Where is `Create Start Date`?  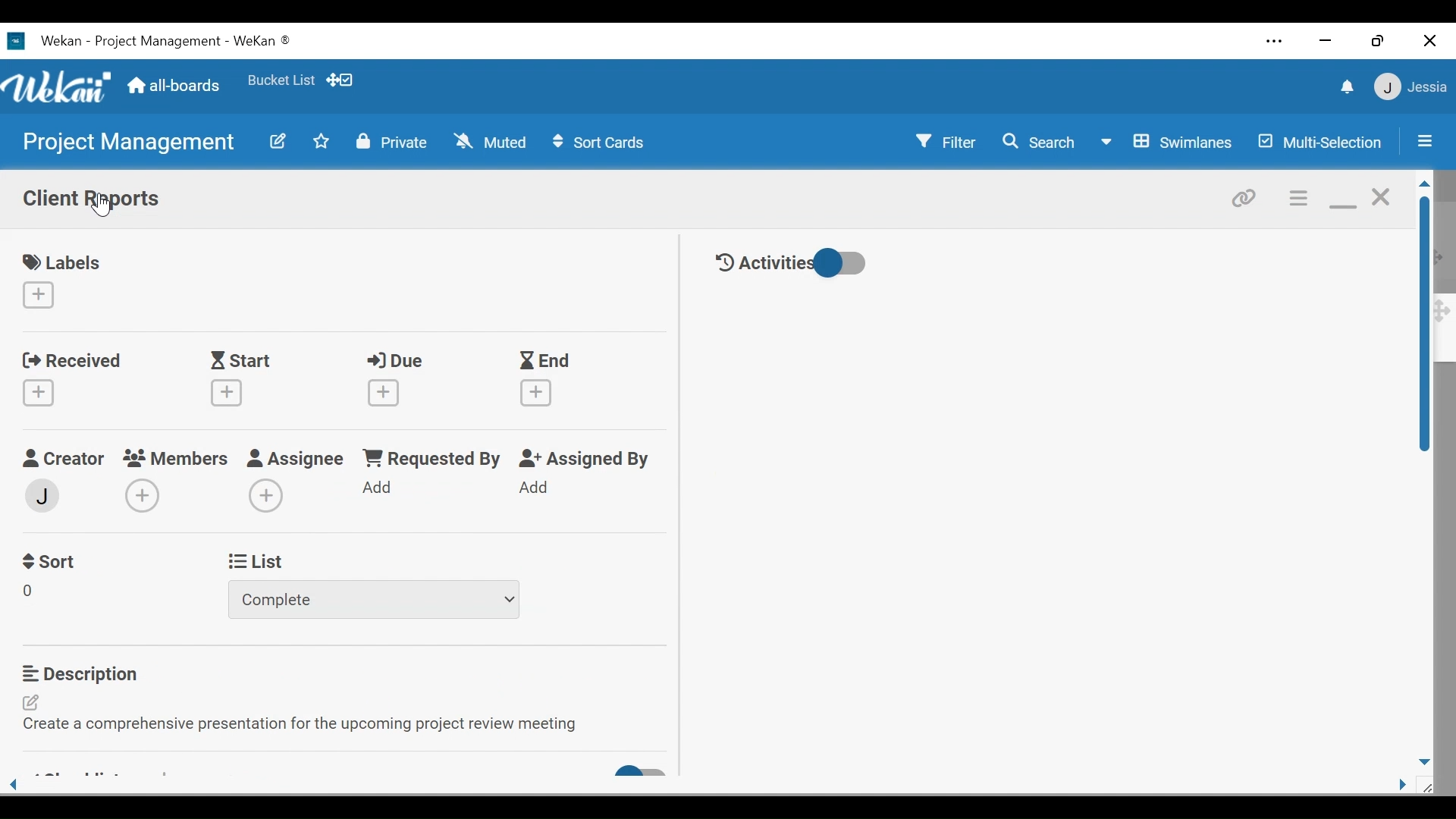
Create Start Date is located at coordinates (226, 392).